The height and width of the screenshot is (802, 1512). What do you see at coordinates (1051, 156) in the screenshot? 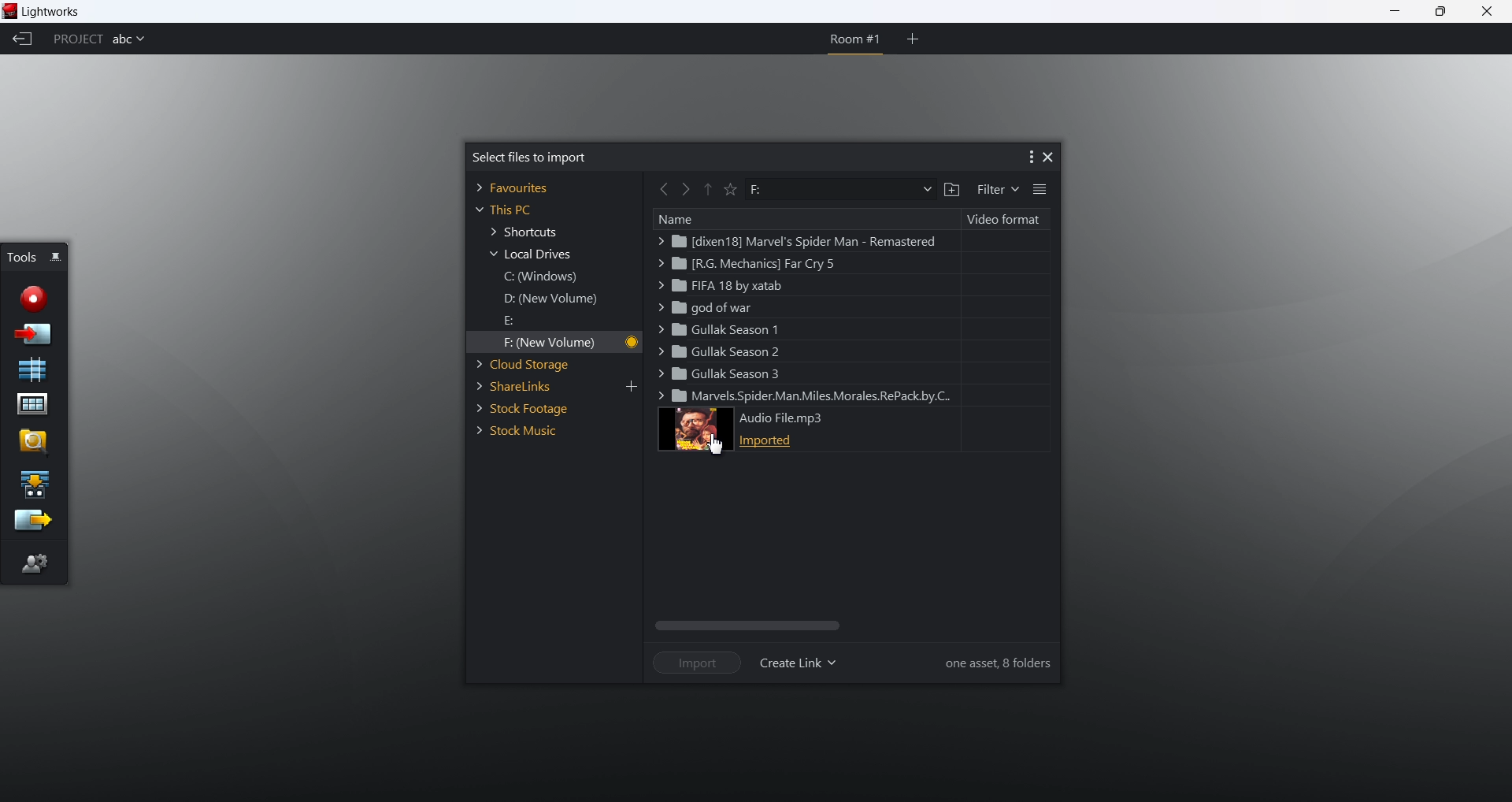
I see `close dialog` at bounding box center [1051, 156].